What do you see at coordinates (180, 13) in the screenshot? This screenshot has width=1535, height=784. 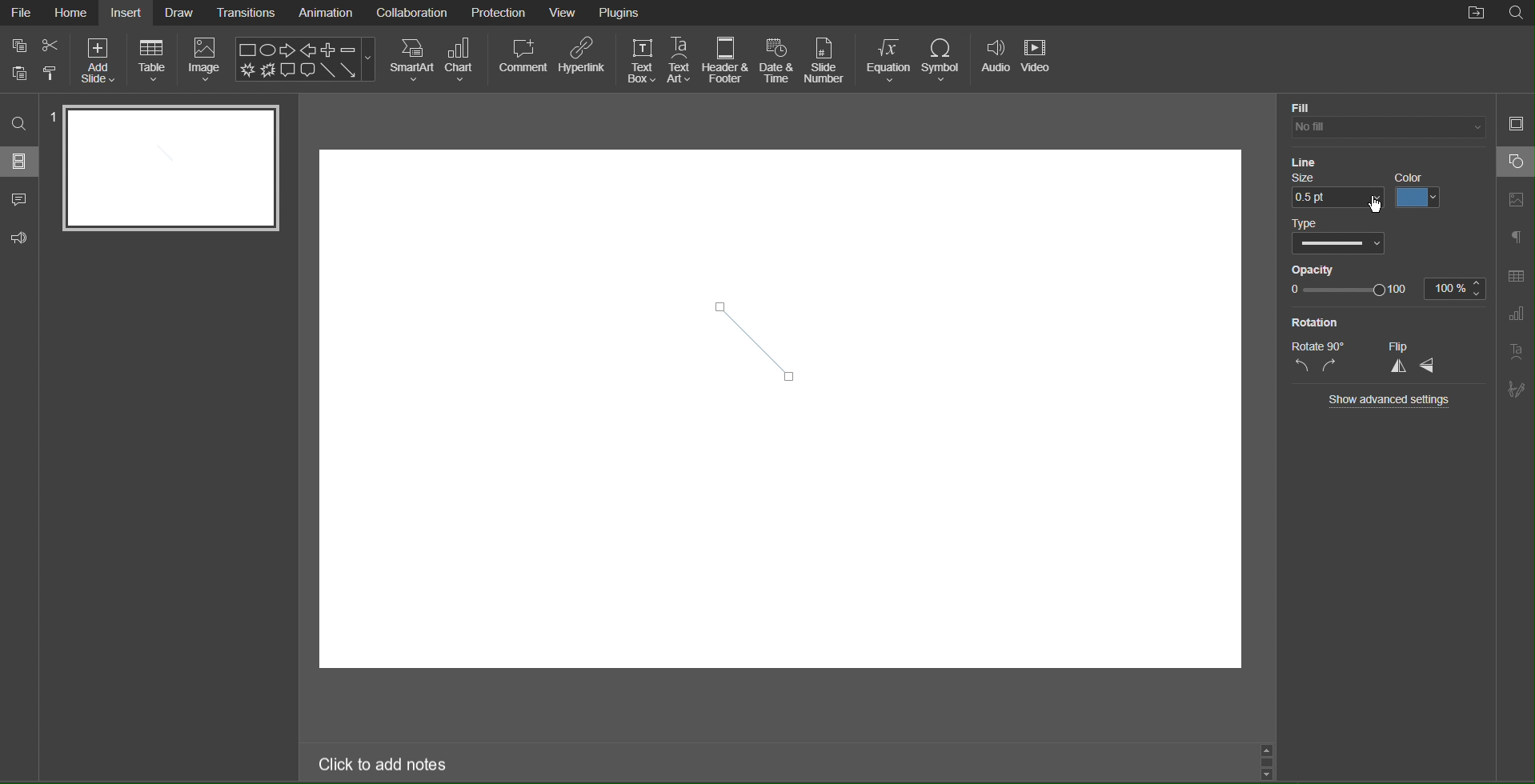 I see `Draw` at bounding box center [180, 13].